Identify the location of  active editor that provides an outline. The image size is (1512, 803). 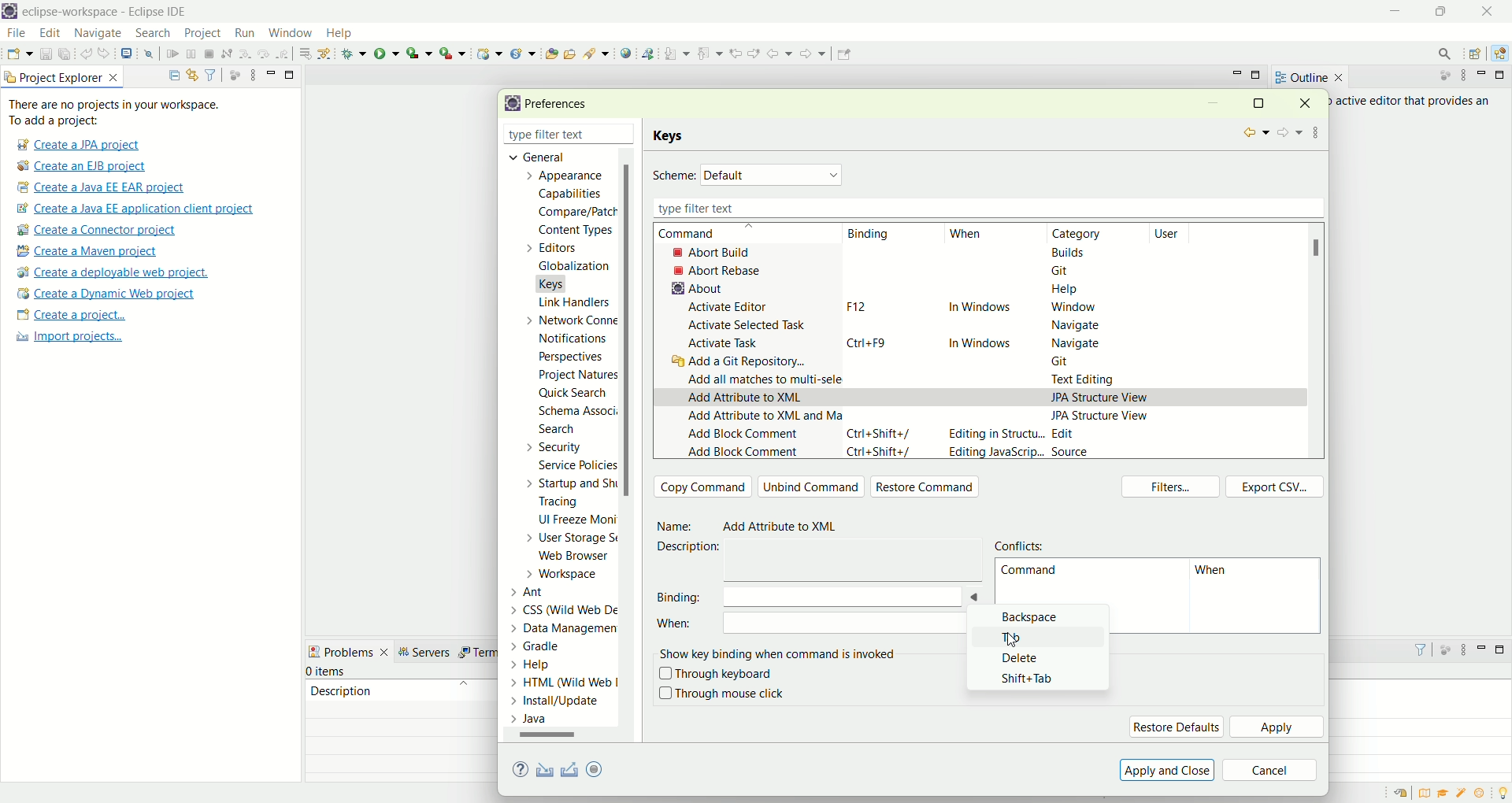
(1414, 102).